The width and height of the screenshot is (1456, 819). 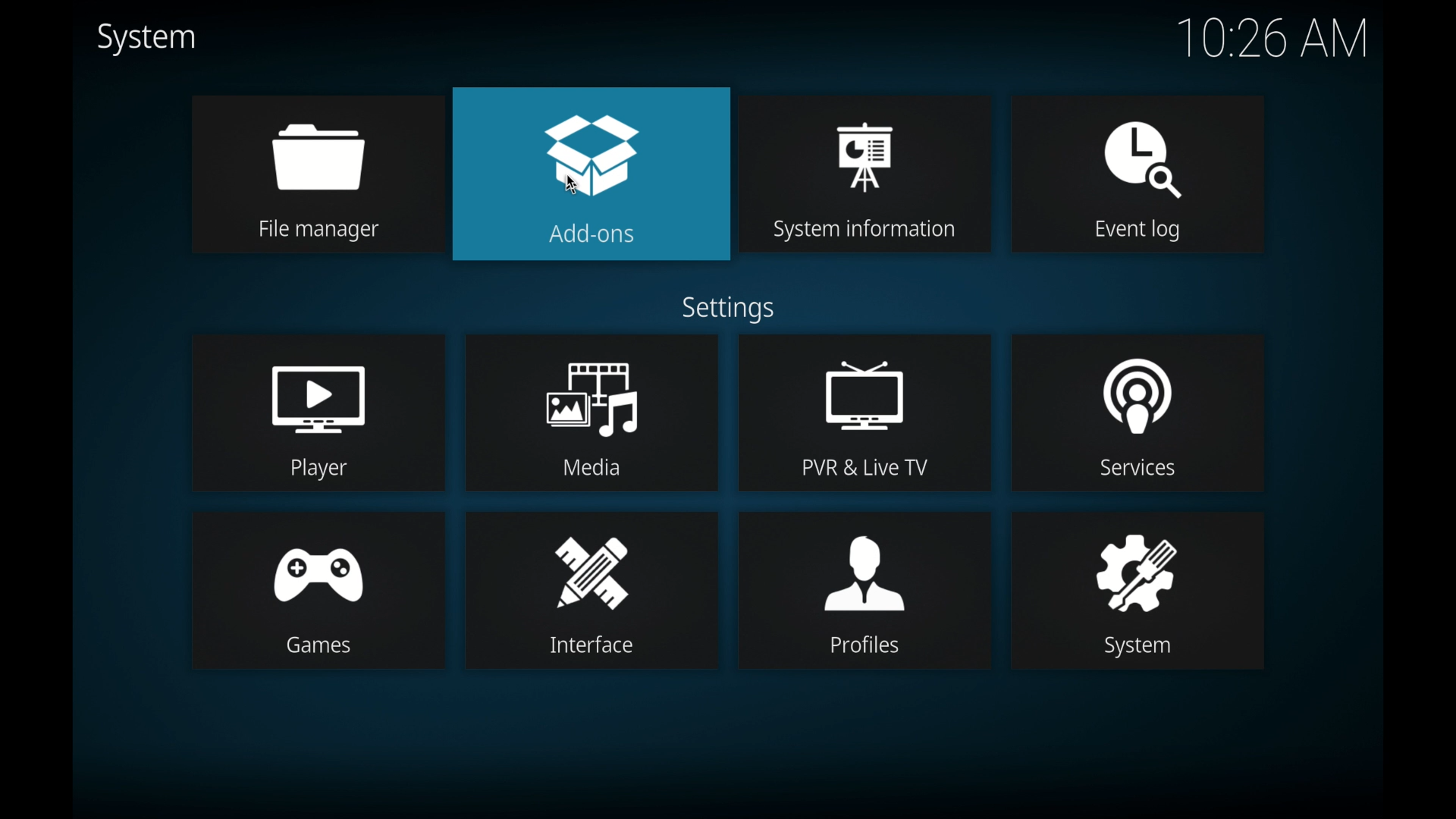 What do you see at coordinates (592, 412) in the screenshot?
I see `media` at bounding box center [592, 412].